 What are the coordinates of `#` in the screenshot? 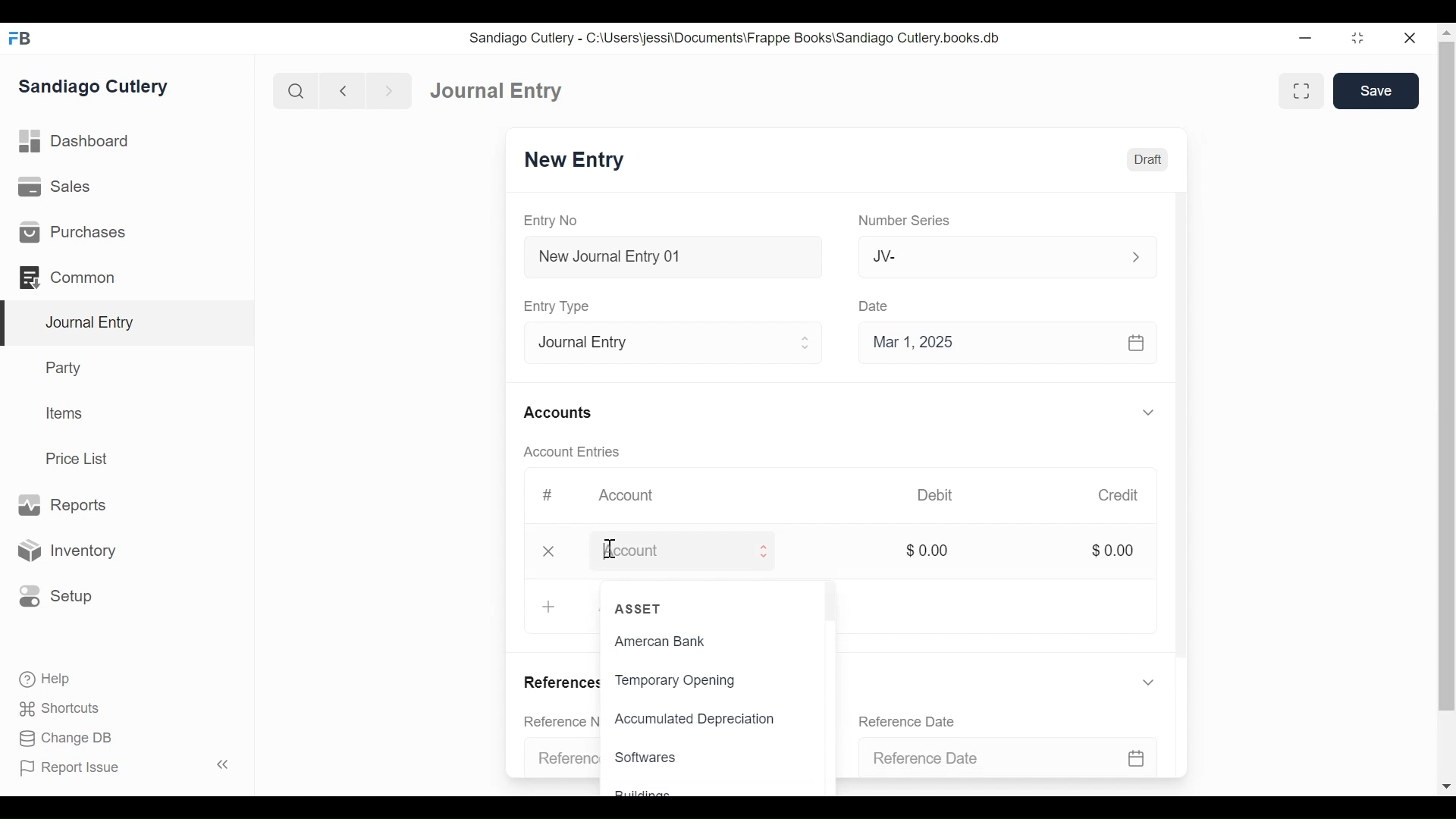 It's located at (552, 495).